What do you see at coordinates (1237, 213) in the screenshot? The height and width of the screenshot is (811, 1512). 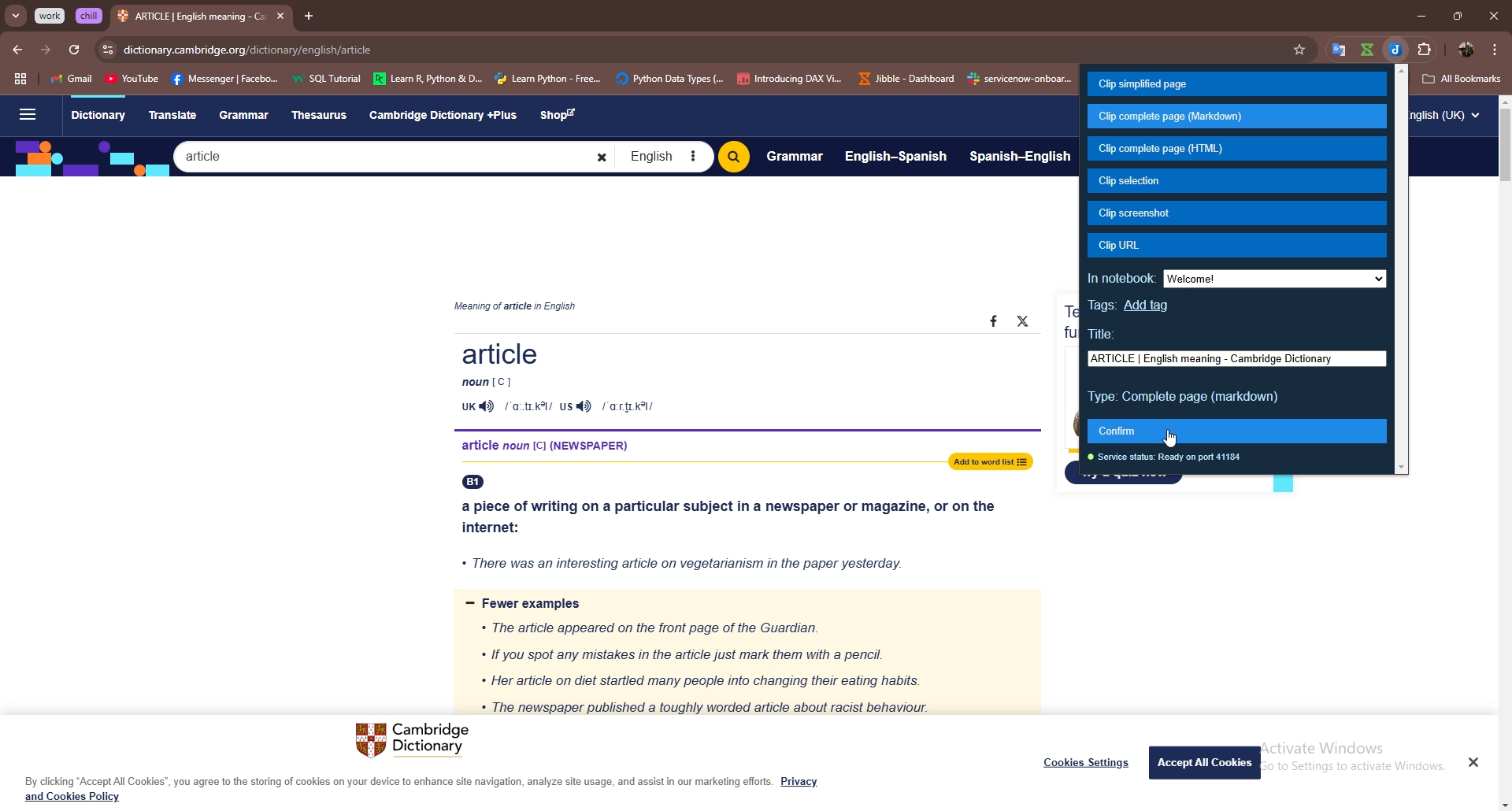 I see `clip screenshot` at bounding box center [1237, 213].